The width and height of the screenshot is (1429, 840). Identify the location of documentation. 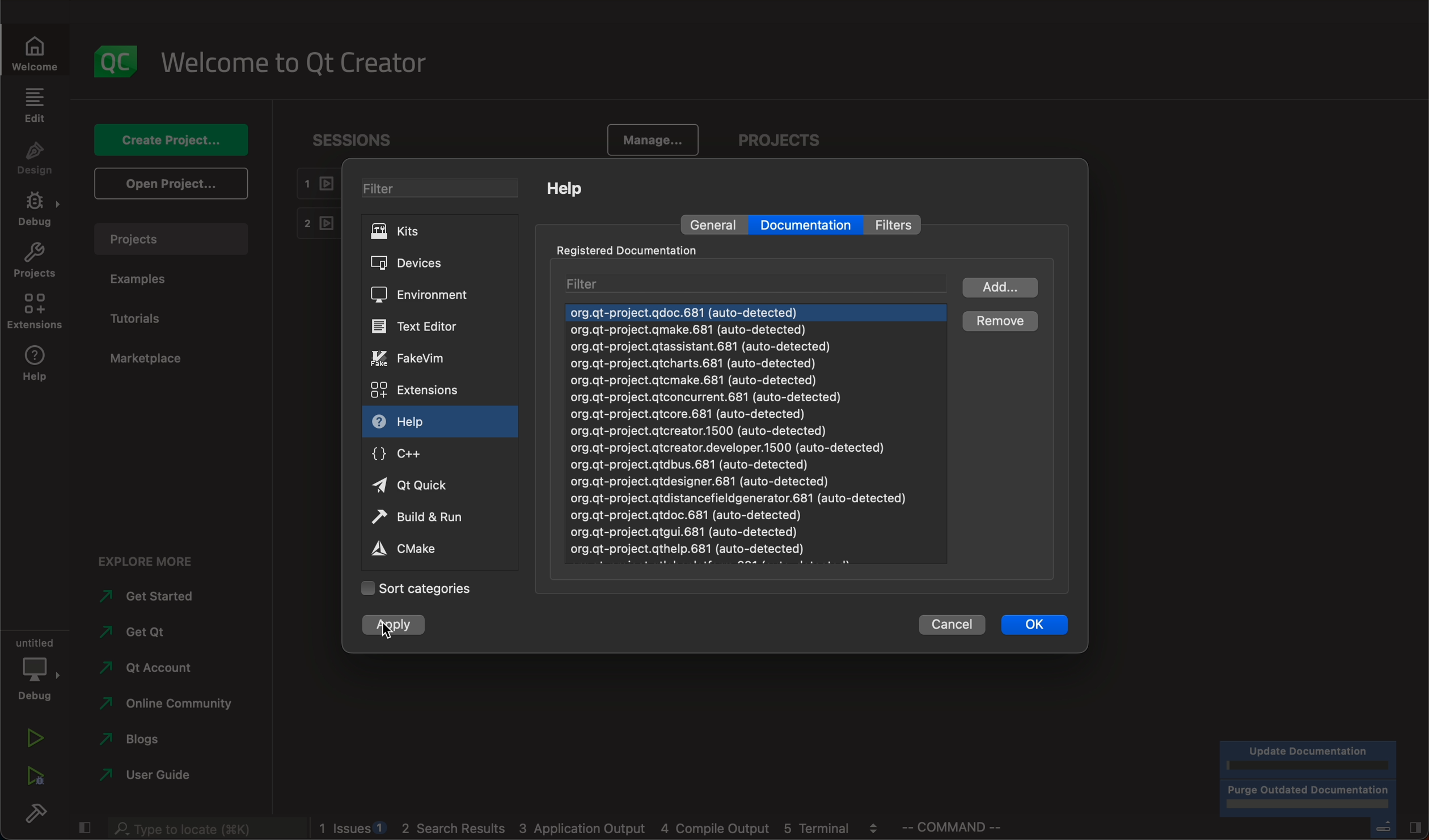
(807, 225).